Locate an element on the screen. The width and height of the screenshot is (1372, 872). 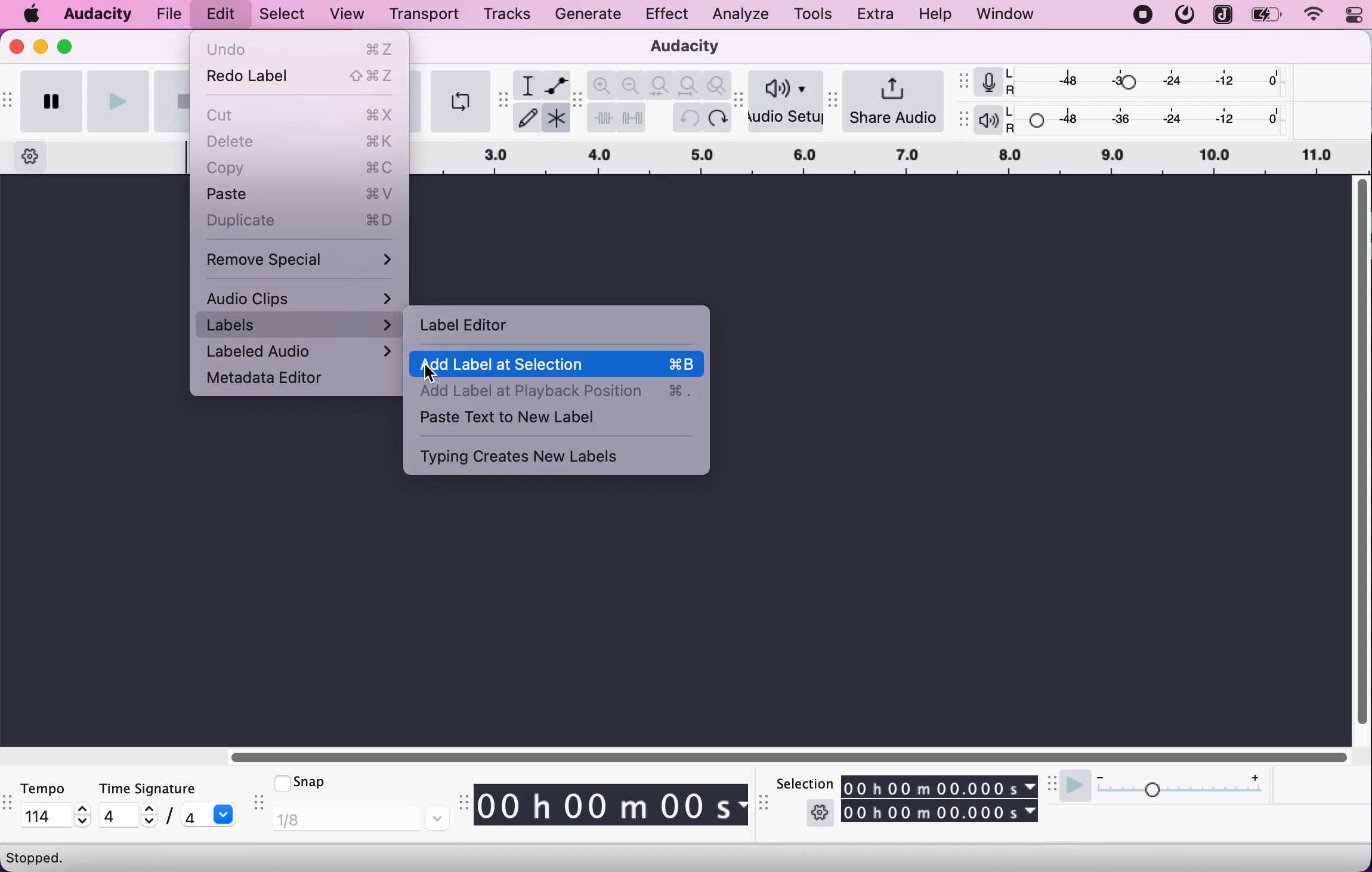
increase is located at coordinates (148, 809).